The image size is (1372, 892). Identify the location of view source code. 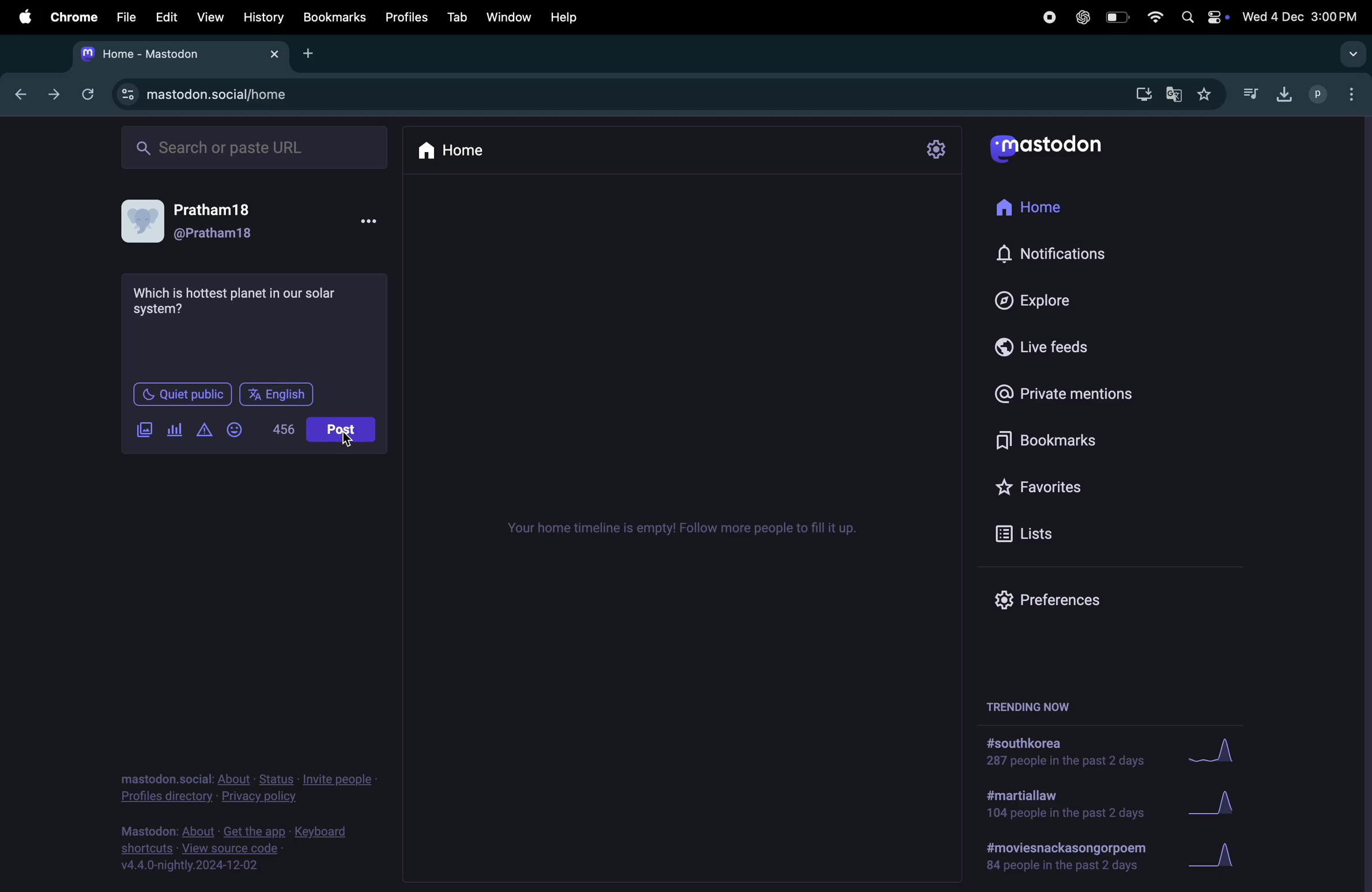
(237, 849).